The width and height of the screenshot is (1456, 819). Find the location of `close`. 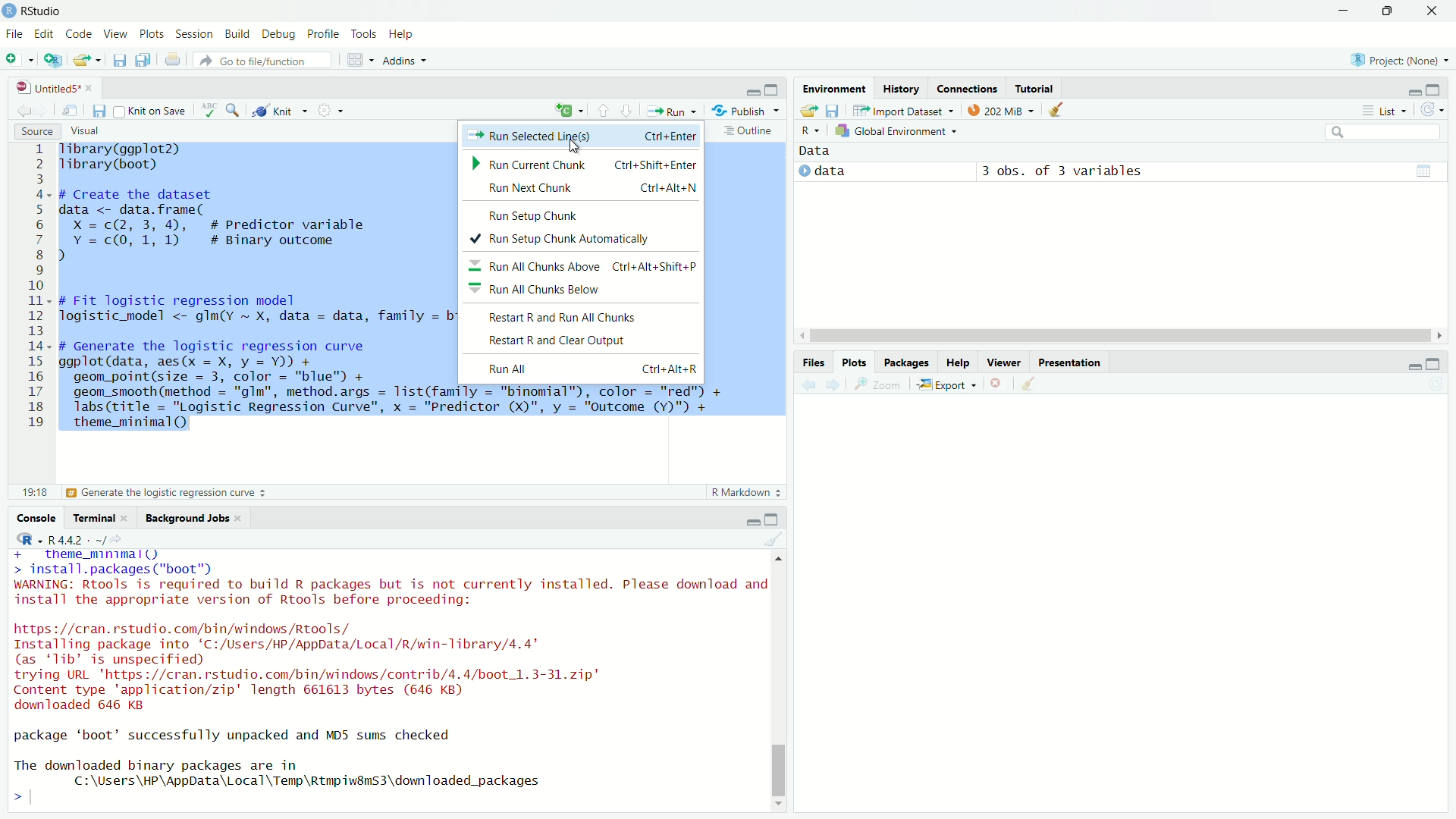

close is located at coordinates (237, 518).